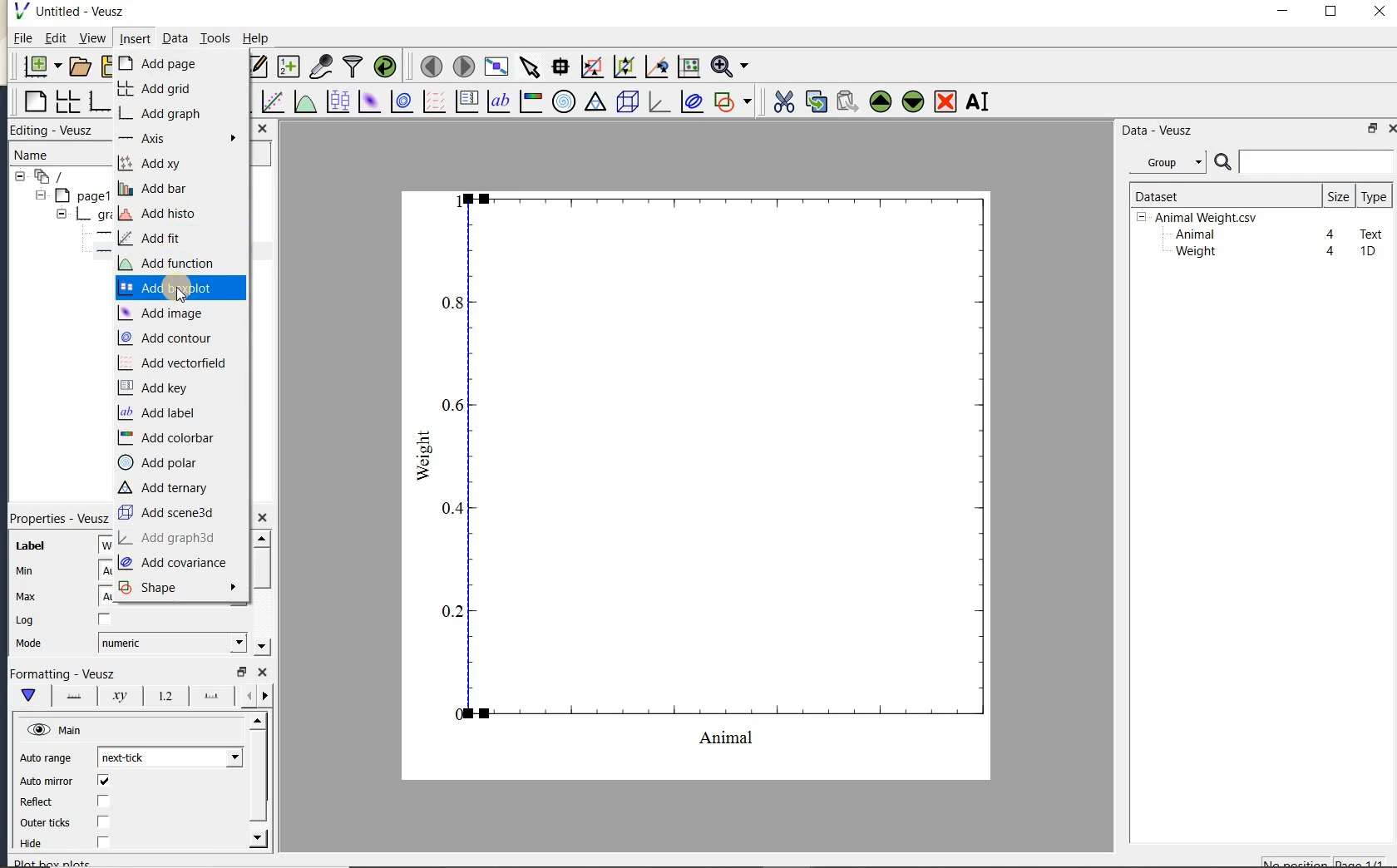  I want to click on Label, so click(31, 546).